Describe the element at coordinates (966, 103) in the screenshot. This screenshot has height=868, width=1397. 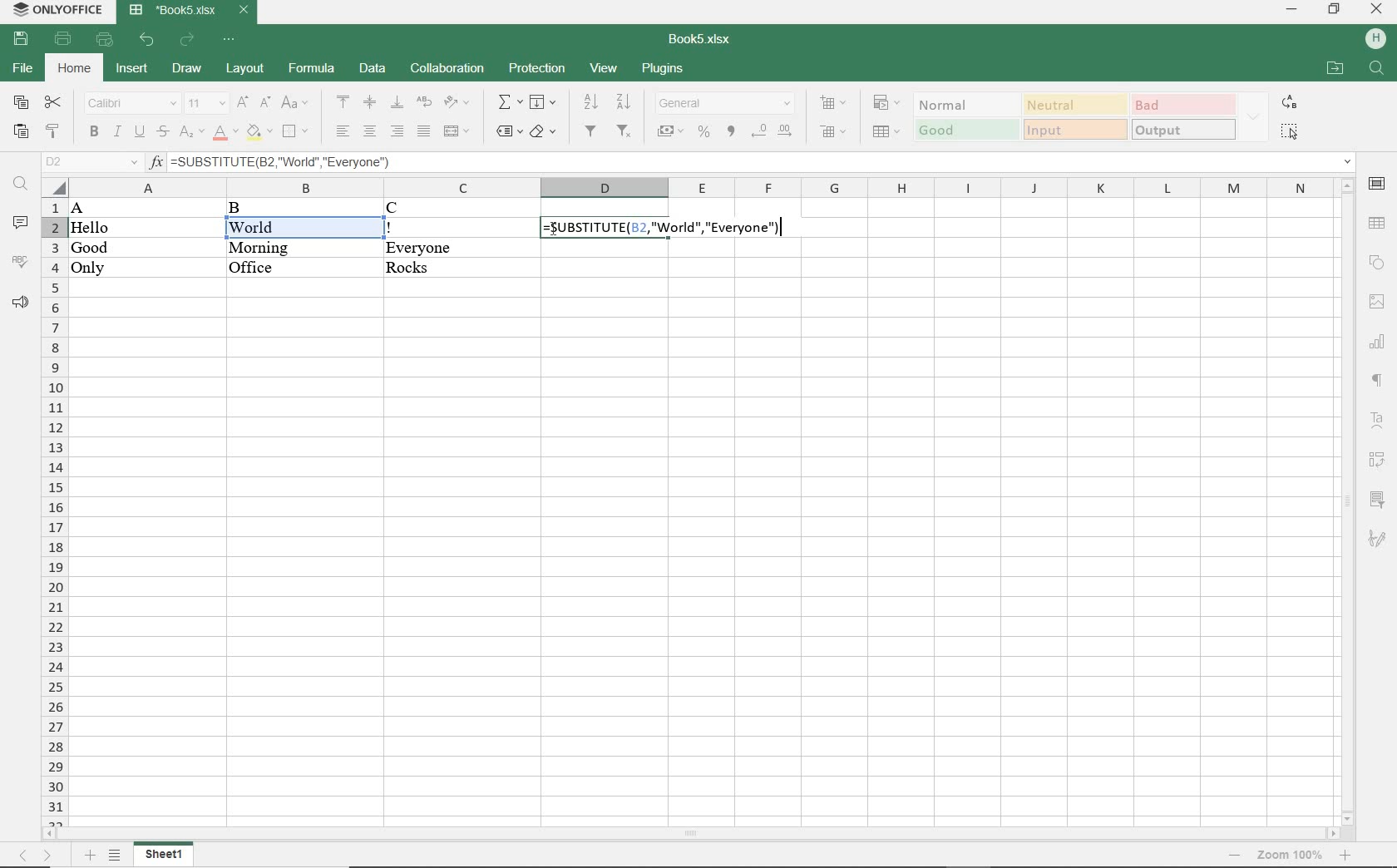
I see `normal` at that location.